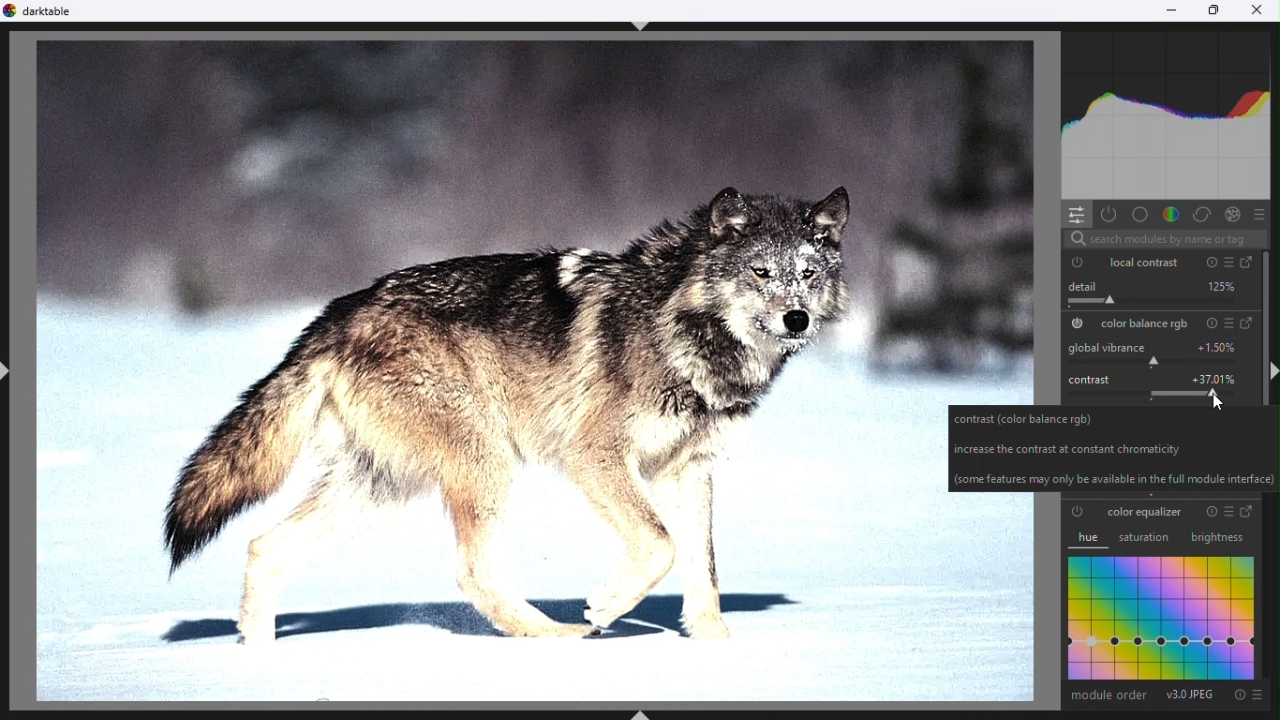 Image resolution: width=1280 pixels, height=720 pixels. I want to click on go to full version of color balance RGB module, so click(1249, 324).